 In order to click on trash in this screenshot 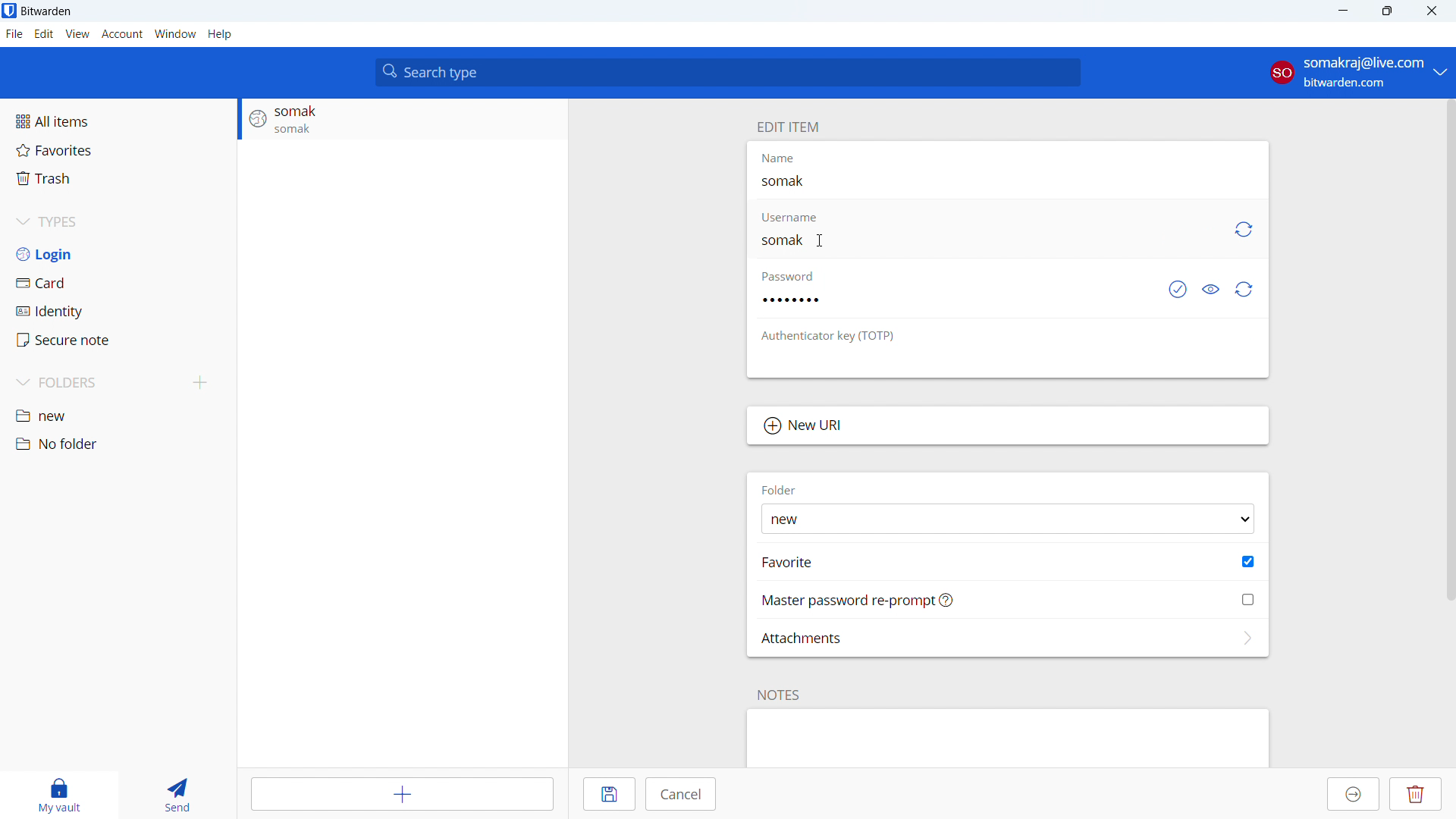, I will do `click(118, 178)`.